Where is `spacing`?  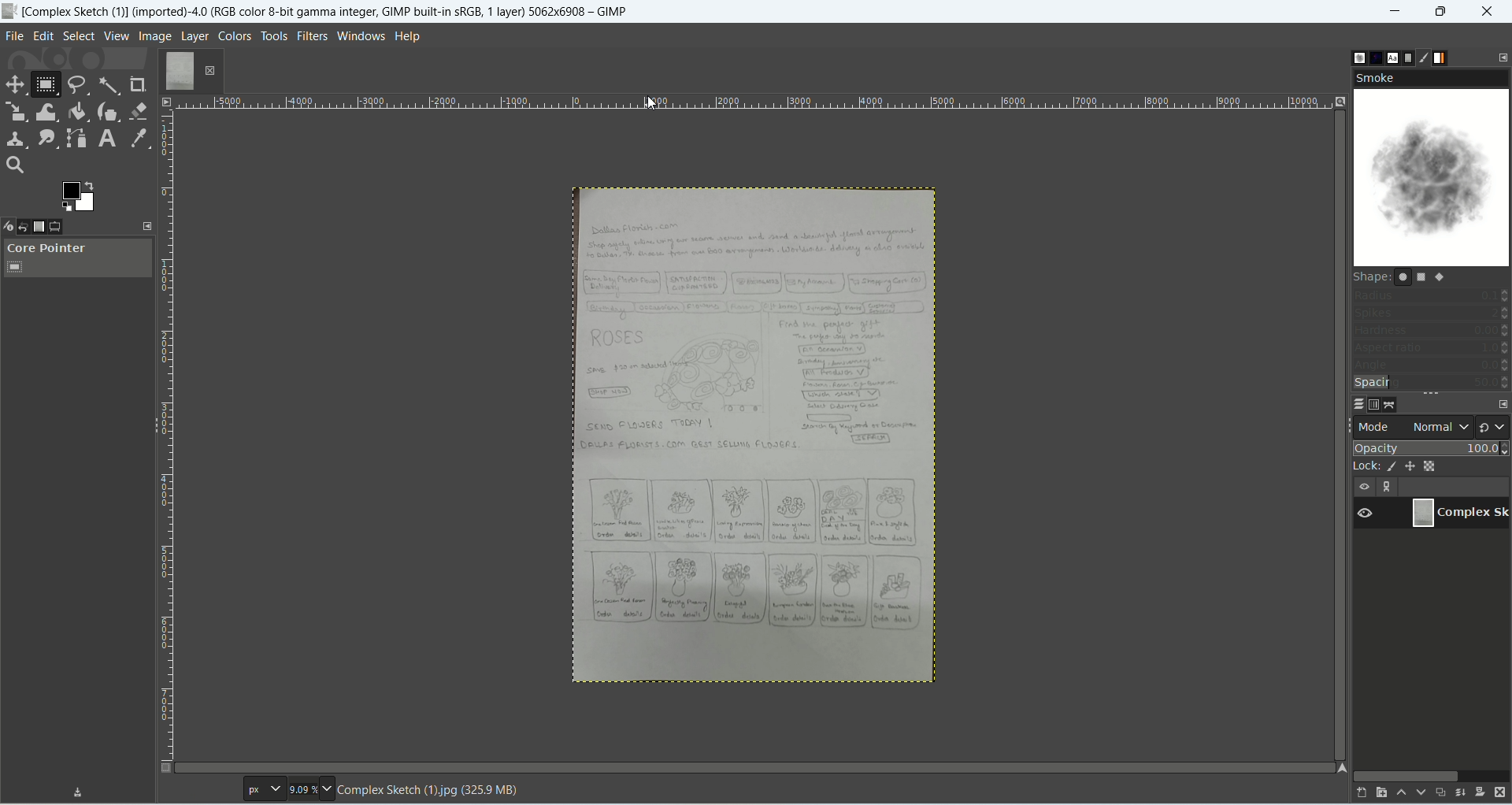
spacing is located at coordinates (1432, 382).